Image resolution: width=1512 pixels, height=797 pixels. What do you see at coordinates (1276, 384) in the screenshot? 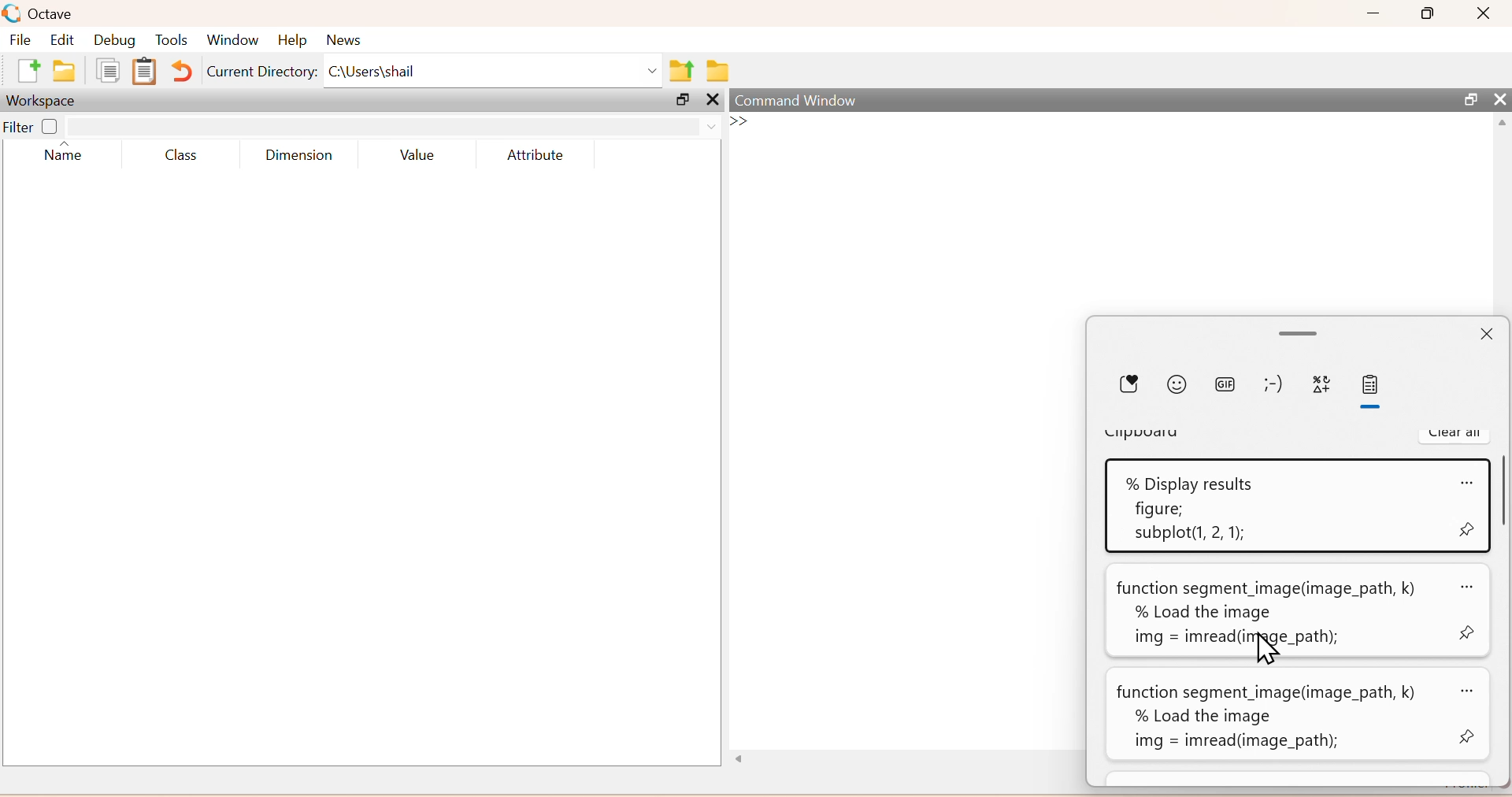
I see `emoji` at bounding box center [1276, 384].